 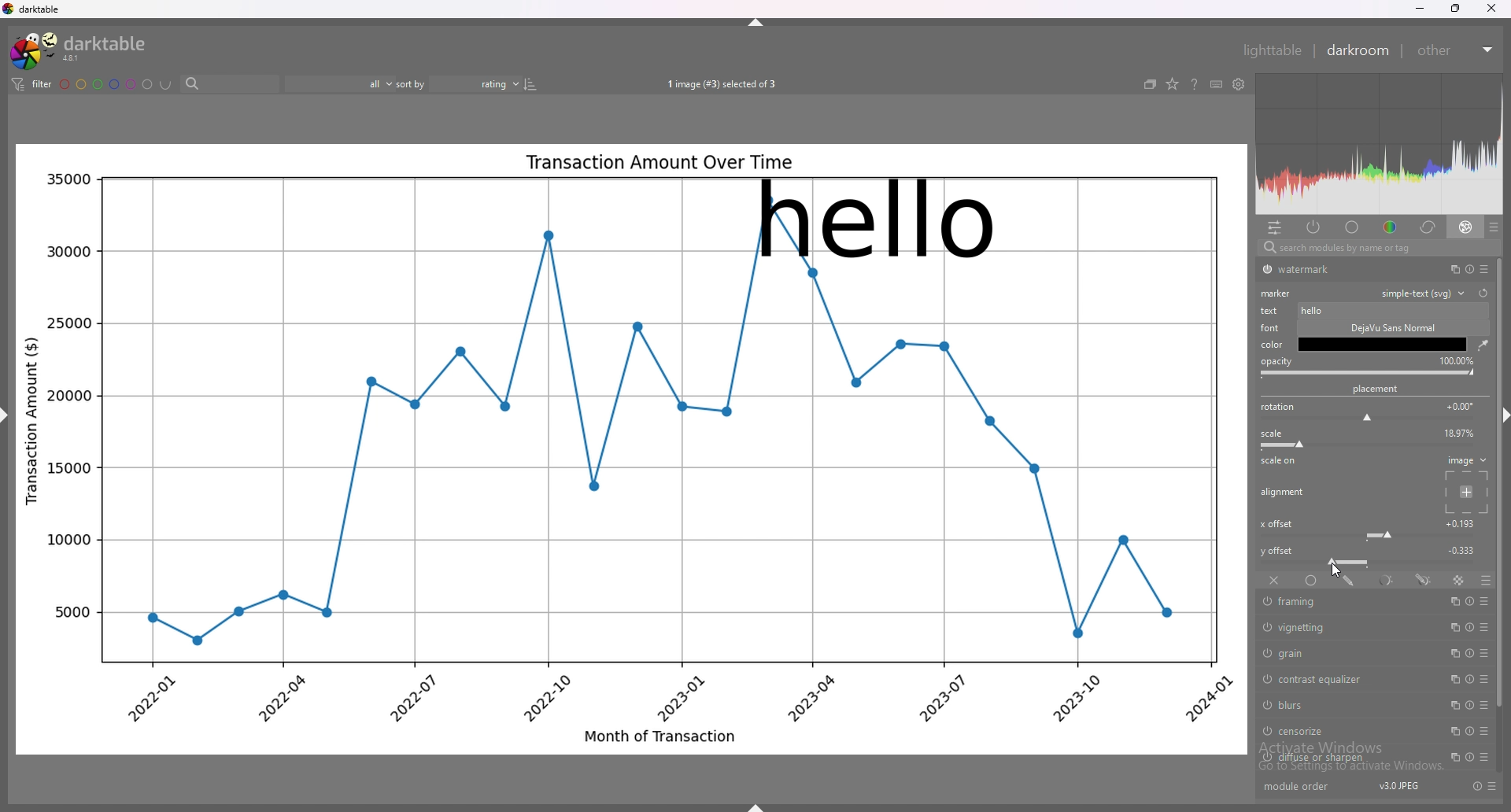 I want to click on presets, so click(x=1487, y=706).